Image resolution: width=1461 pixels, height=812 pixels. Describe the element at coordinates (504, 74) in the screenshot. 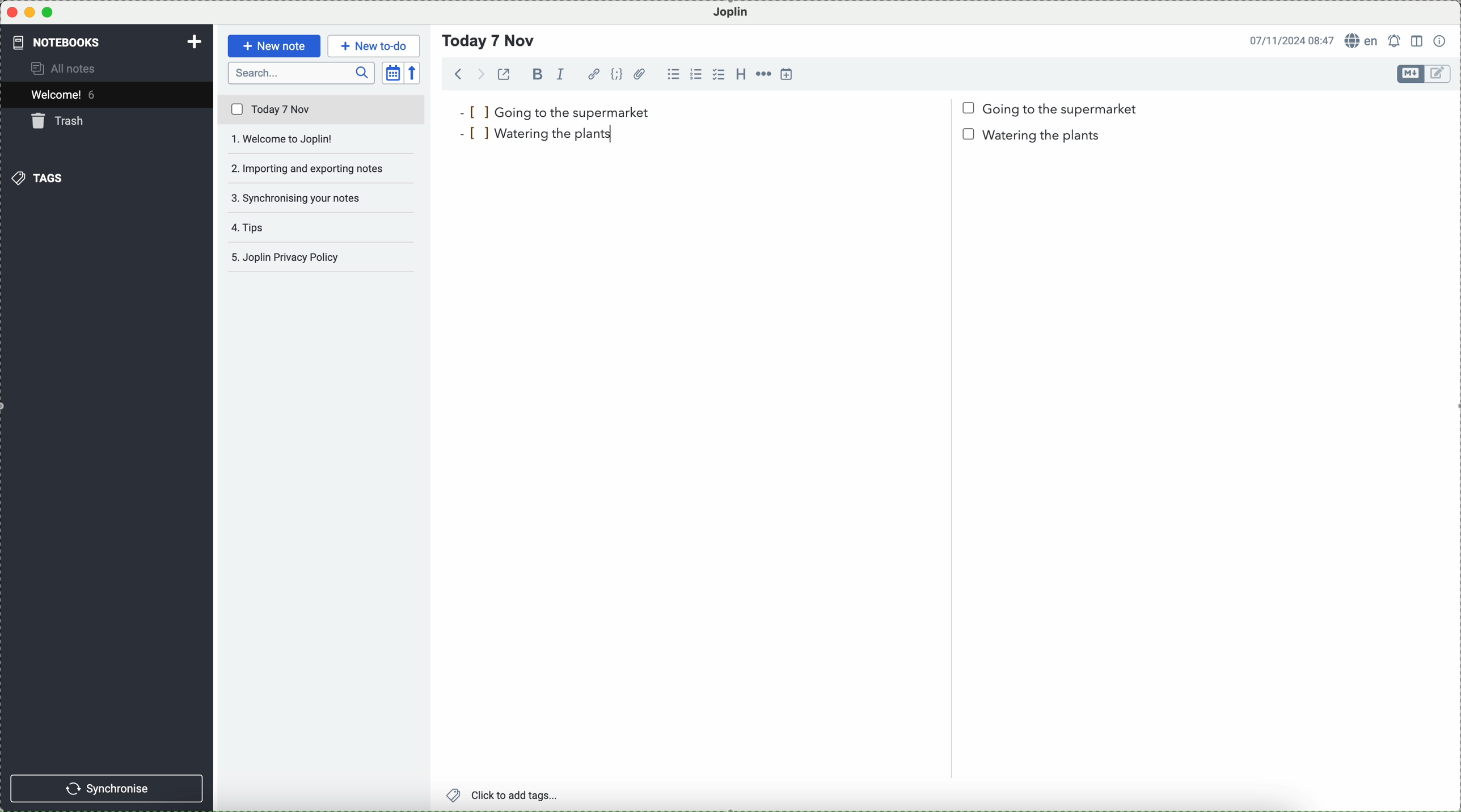

I see `toggle external editing` at that location.